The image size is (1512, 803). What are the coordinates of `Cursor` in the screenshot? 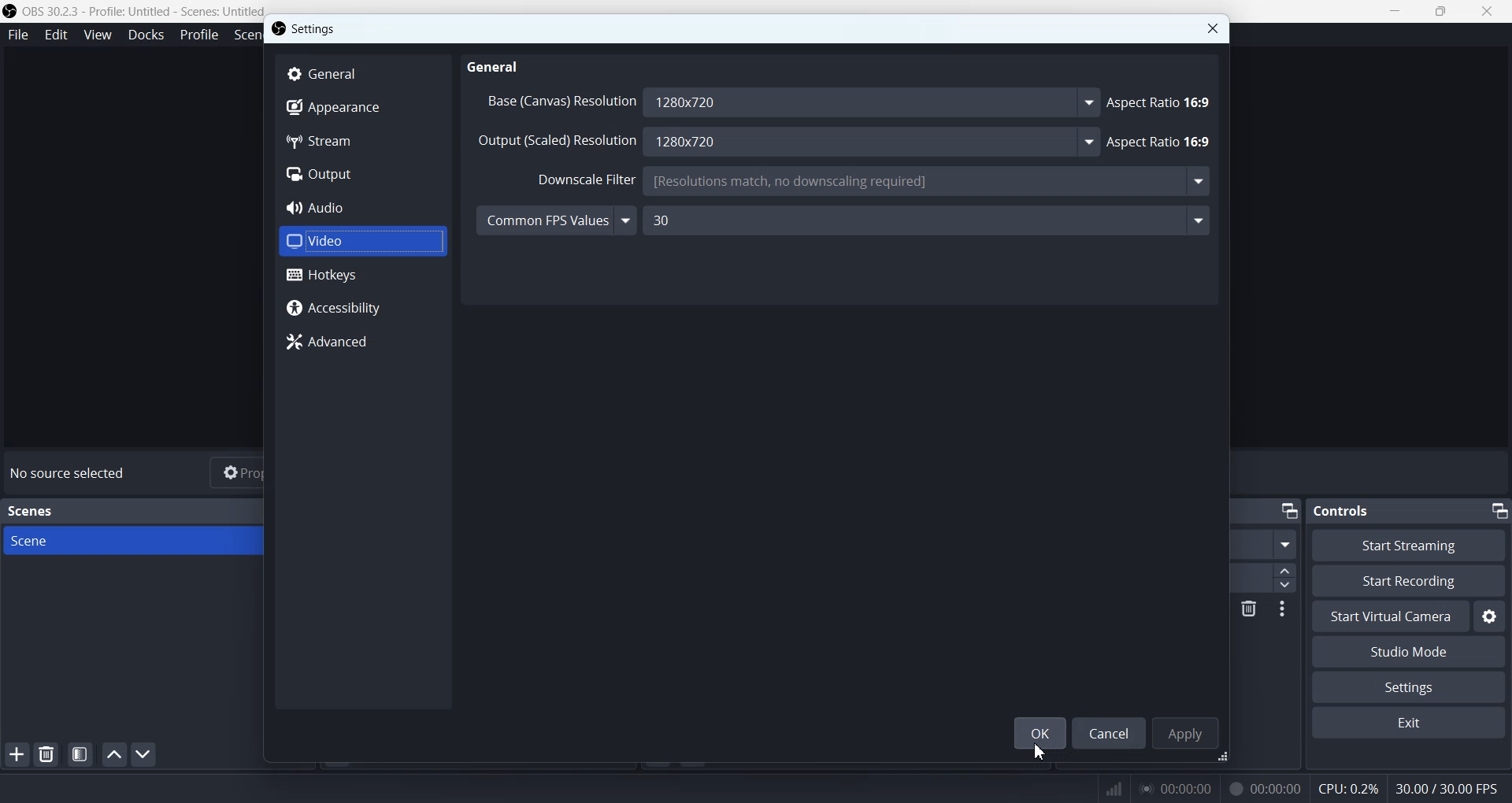 It's located at (1041, 751).